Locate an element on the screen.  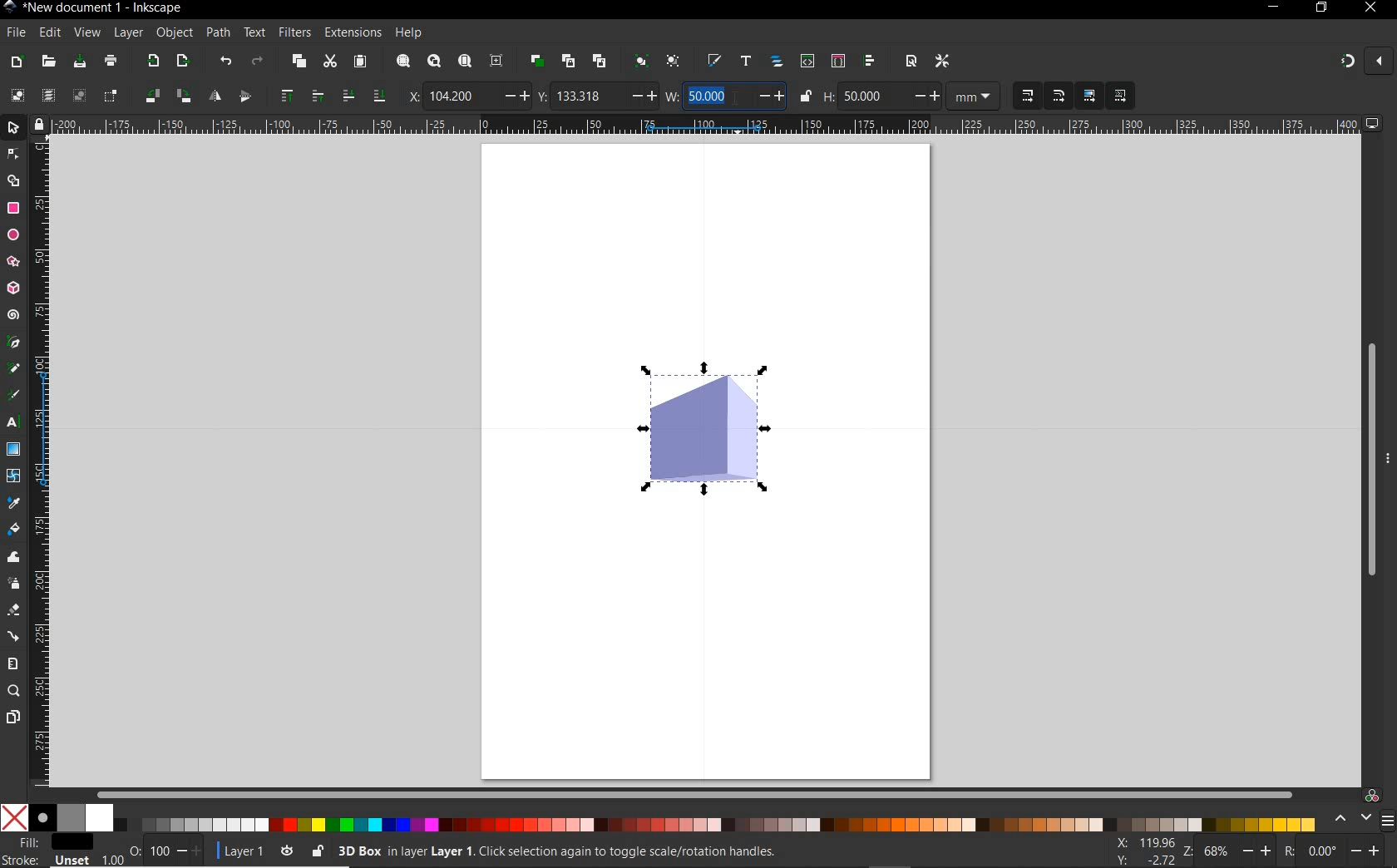
object rotate is located at coordinates (182, 96).